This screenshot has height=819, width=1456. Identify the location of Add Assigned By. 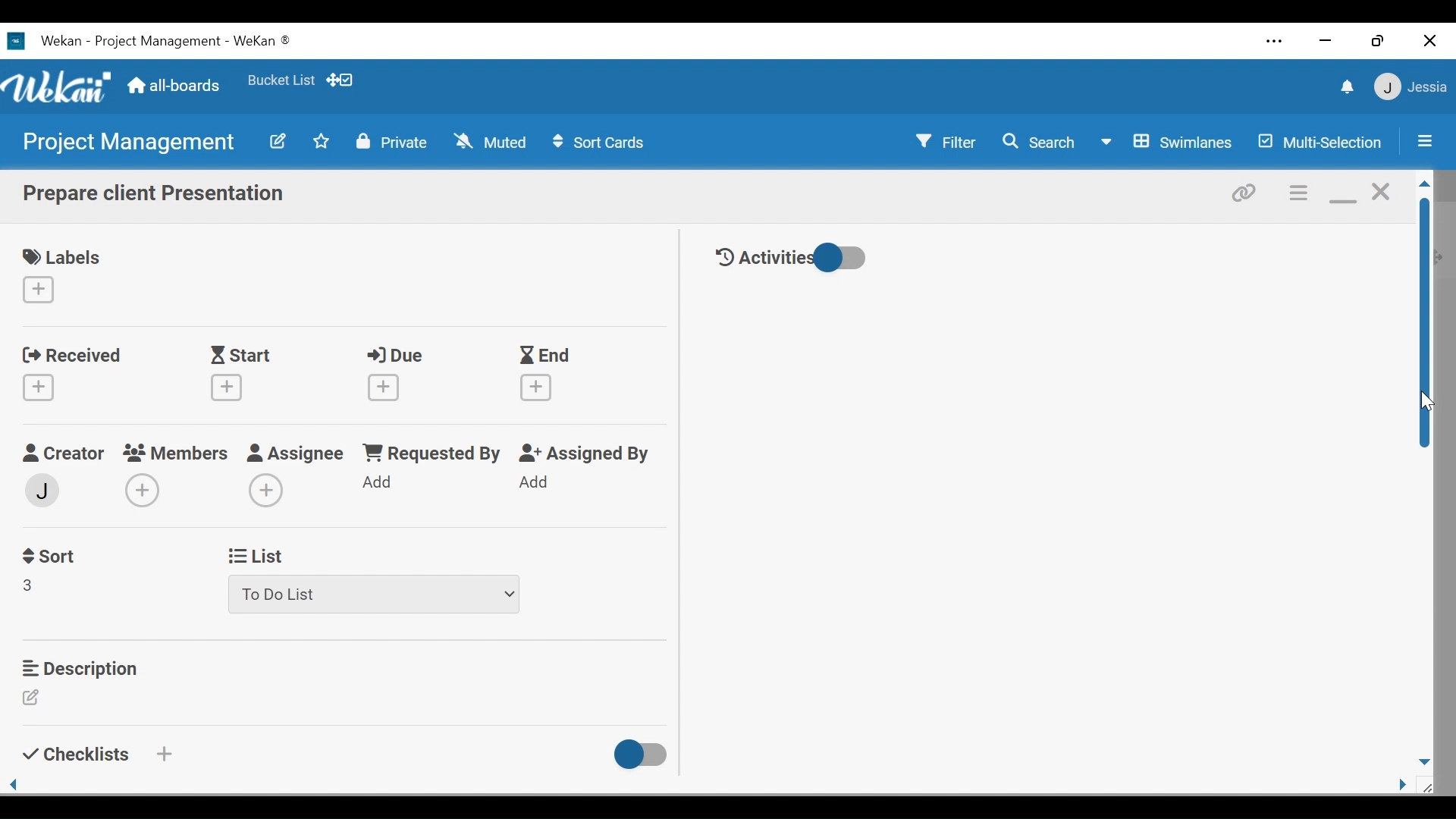
(535, 482).